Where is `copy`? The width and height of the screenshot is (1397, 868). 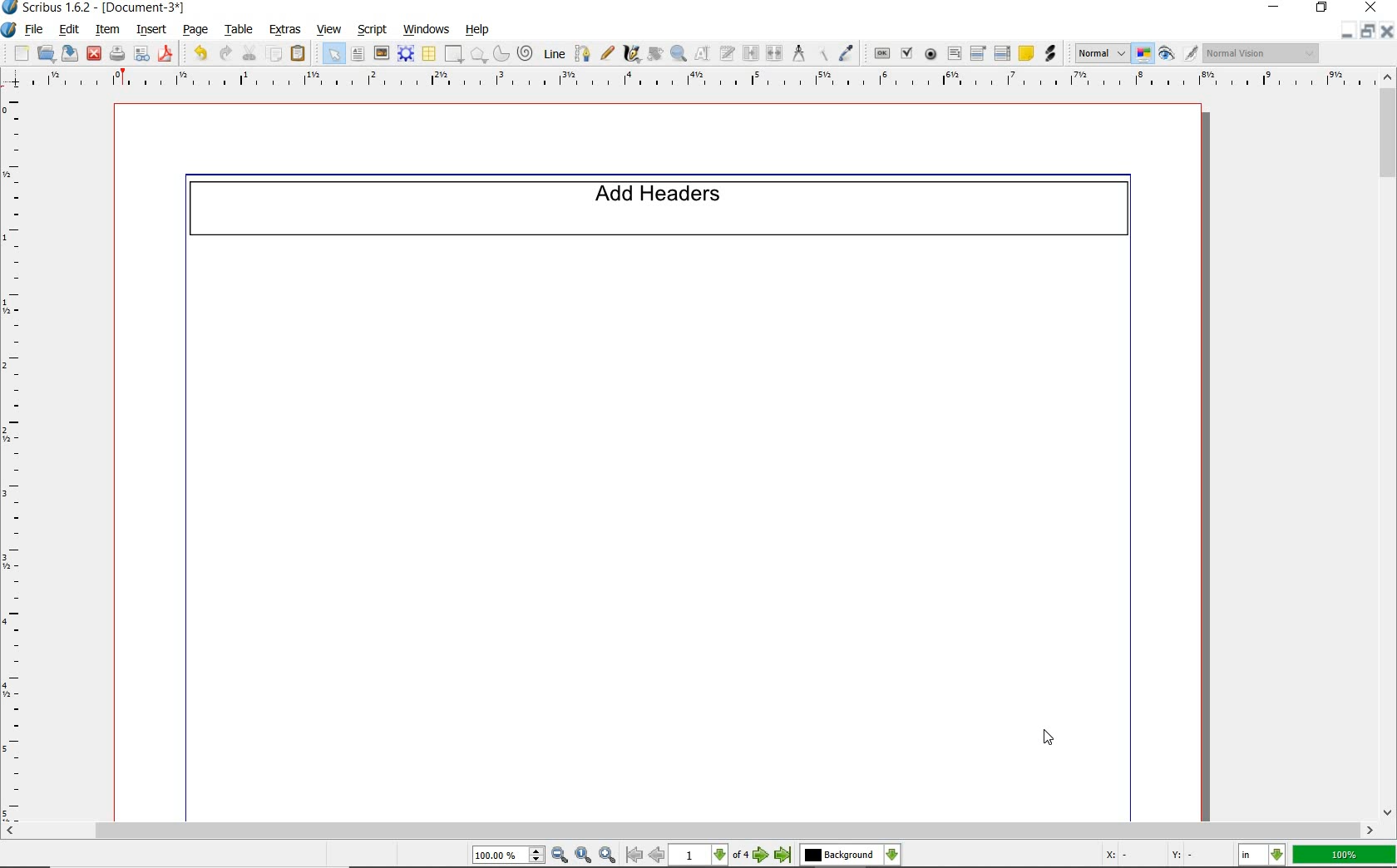
copy is located at coordinates (274, 56).